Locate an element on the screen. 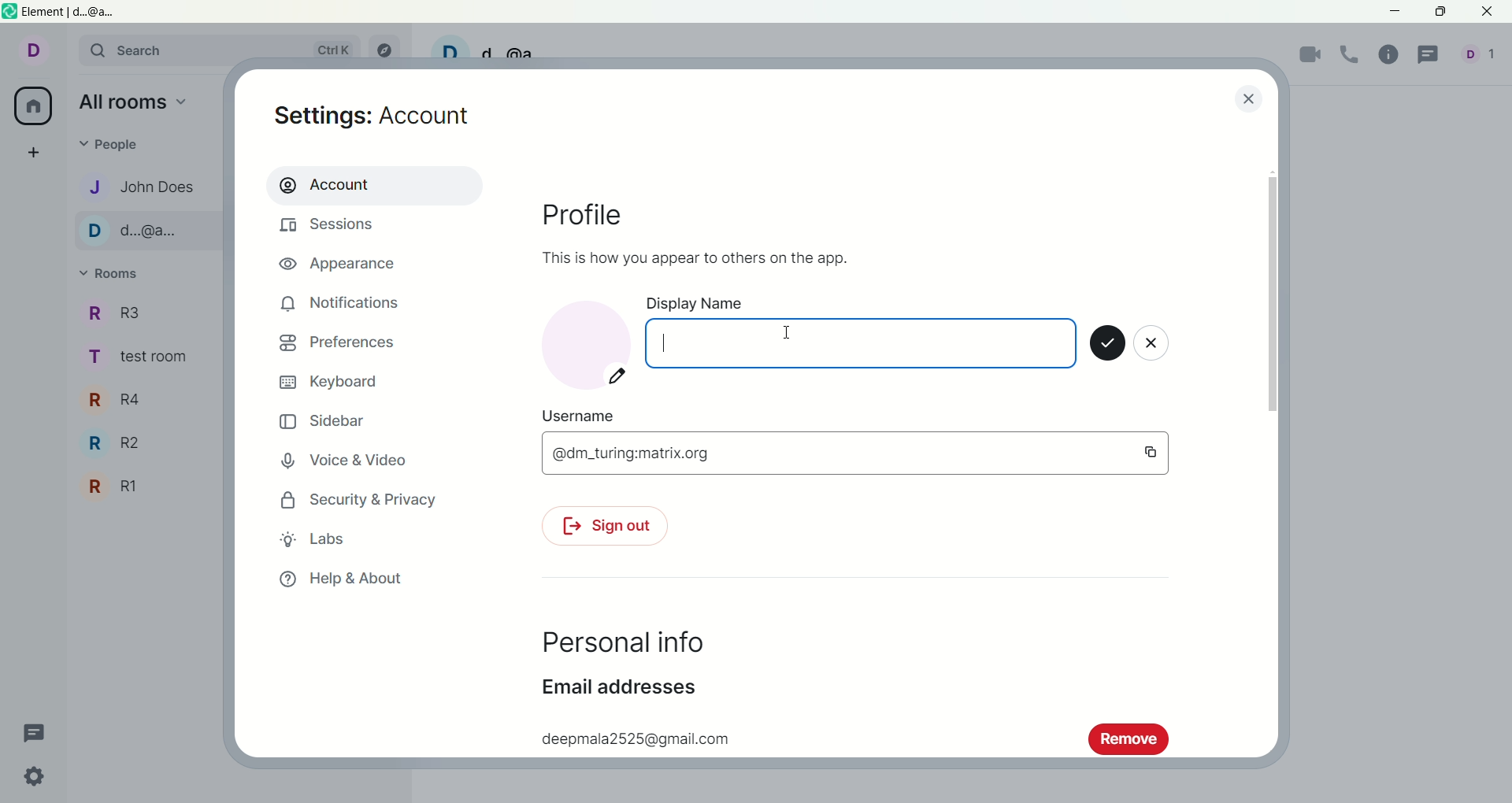 The height and width of the screenshot is (803, 1512). remove is located at coordinates (1128, 738).